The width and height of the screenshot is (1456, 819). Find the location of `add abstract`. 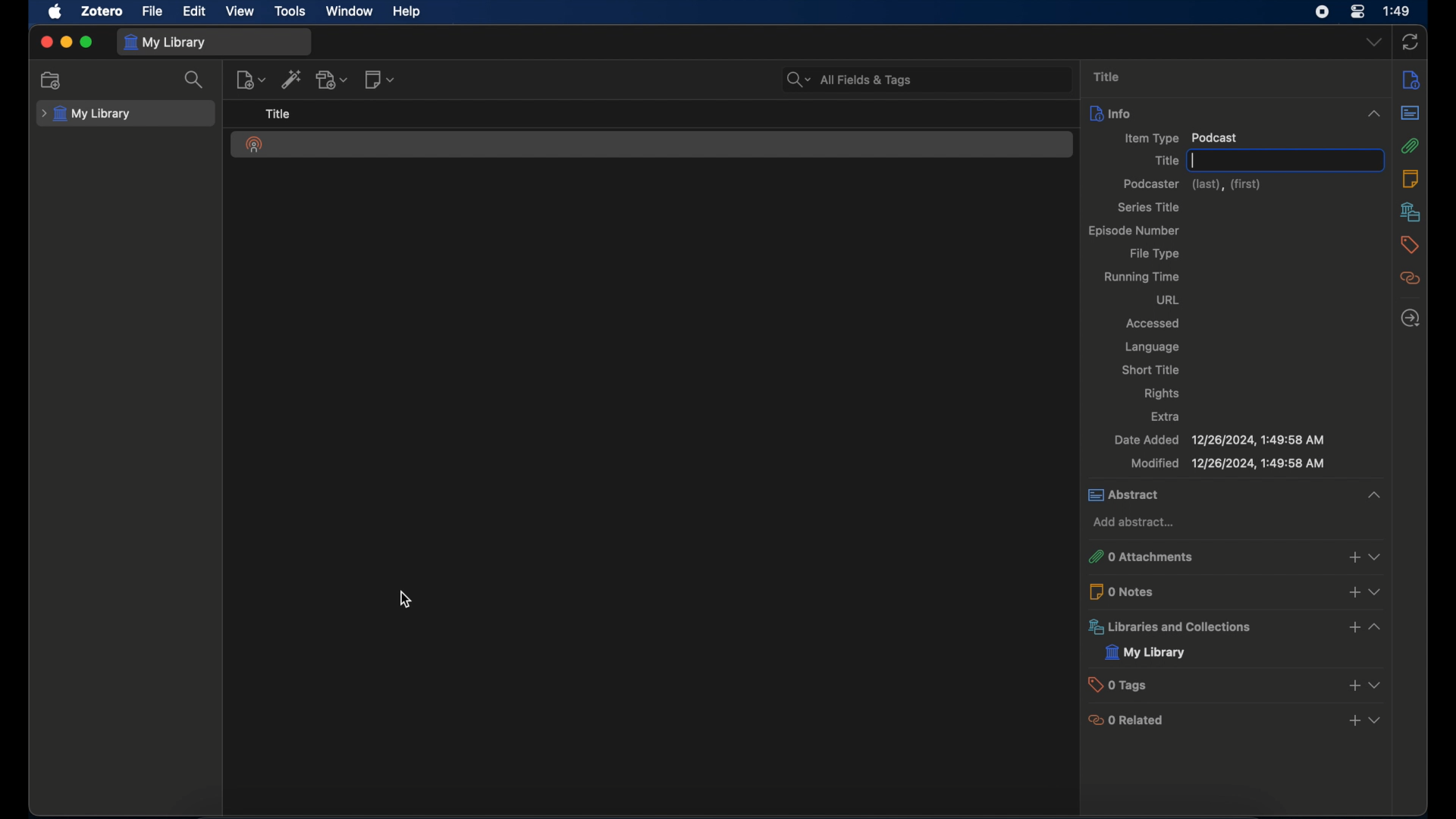

add abstract is located at coordinates (1134, 522).